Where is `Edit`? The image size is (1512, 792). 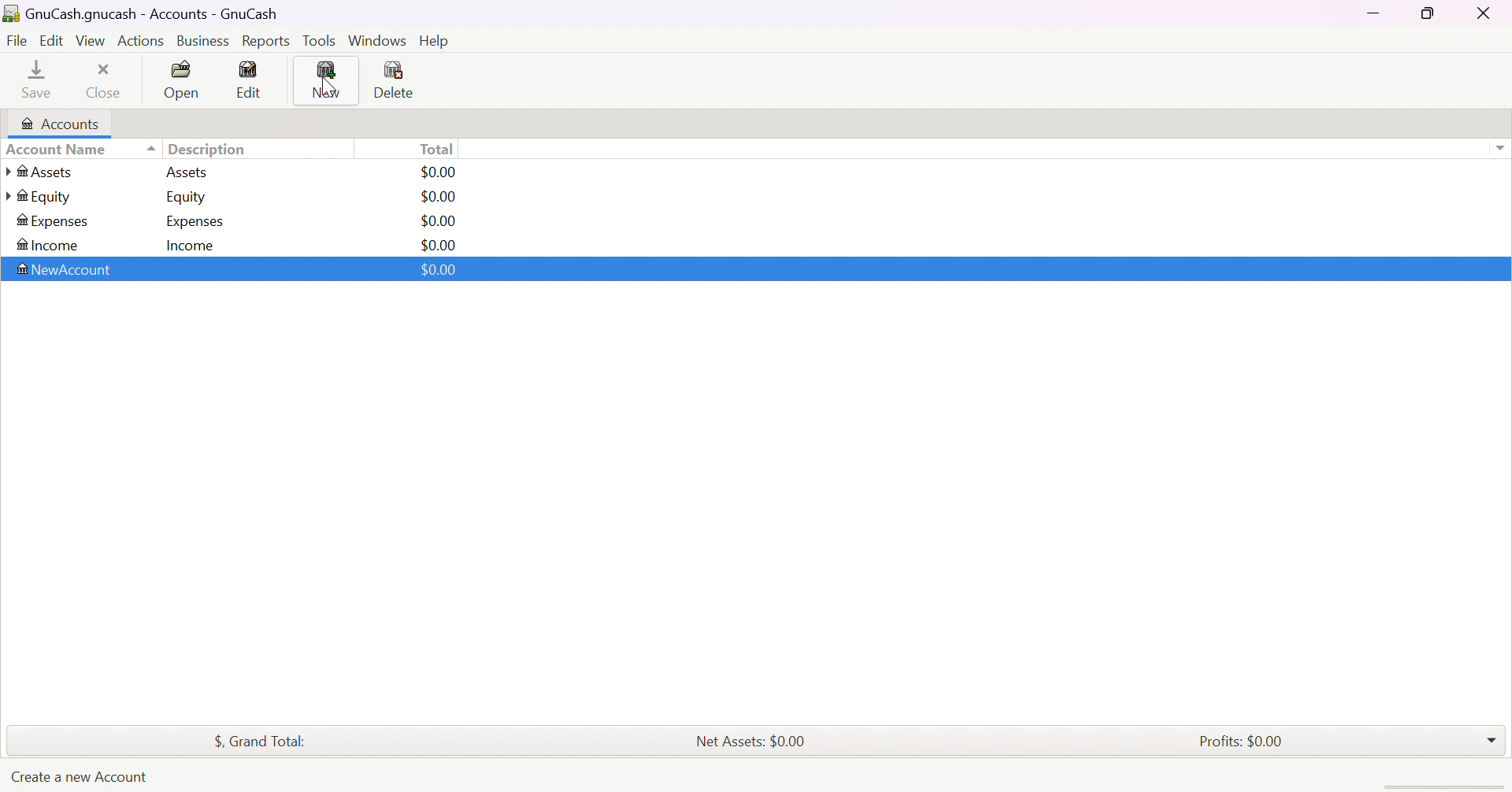 Edit is located at coordinates (249, 80).